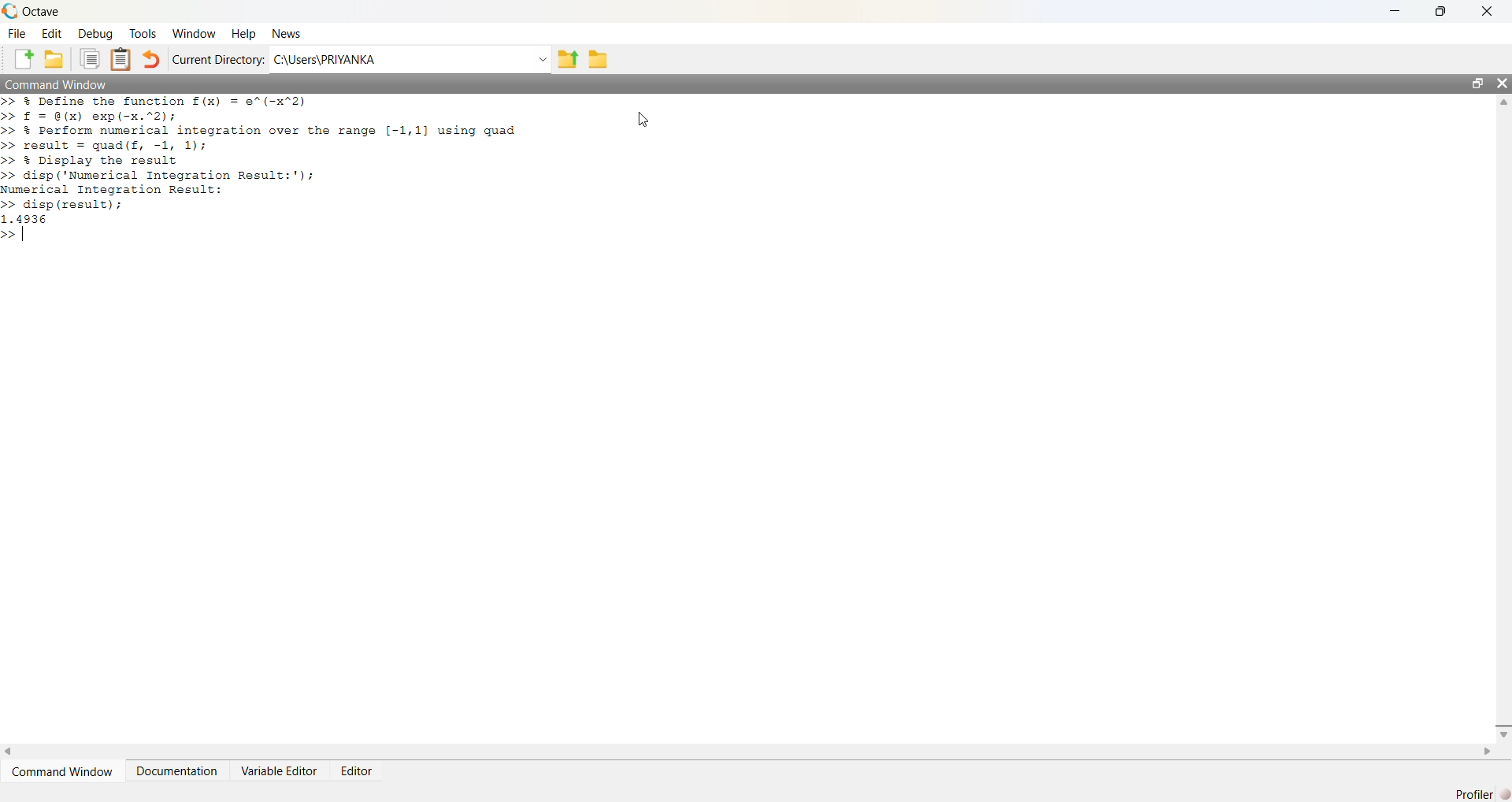  What do you see at coordinates (94, 33) in the screenshot?
I see `Debug` at bounding box center [94, 33].